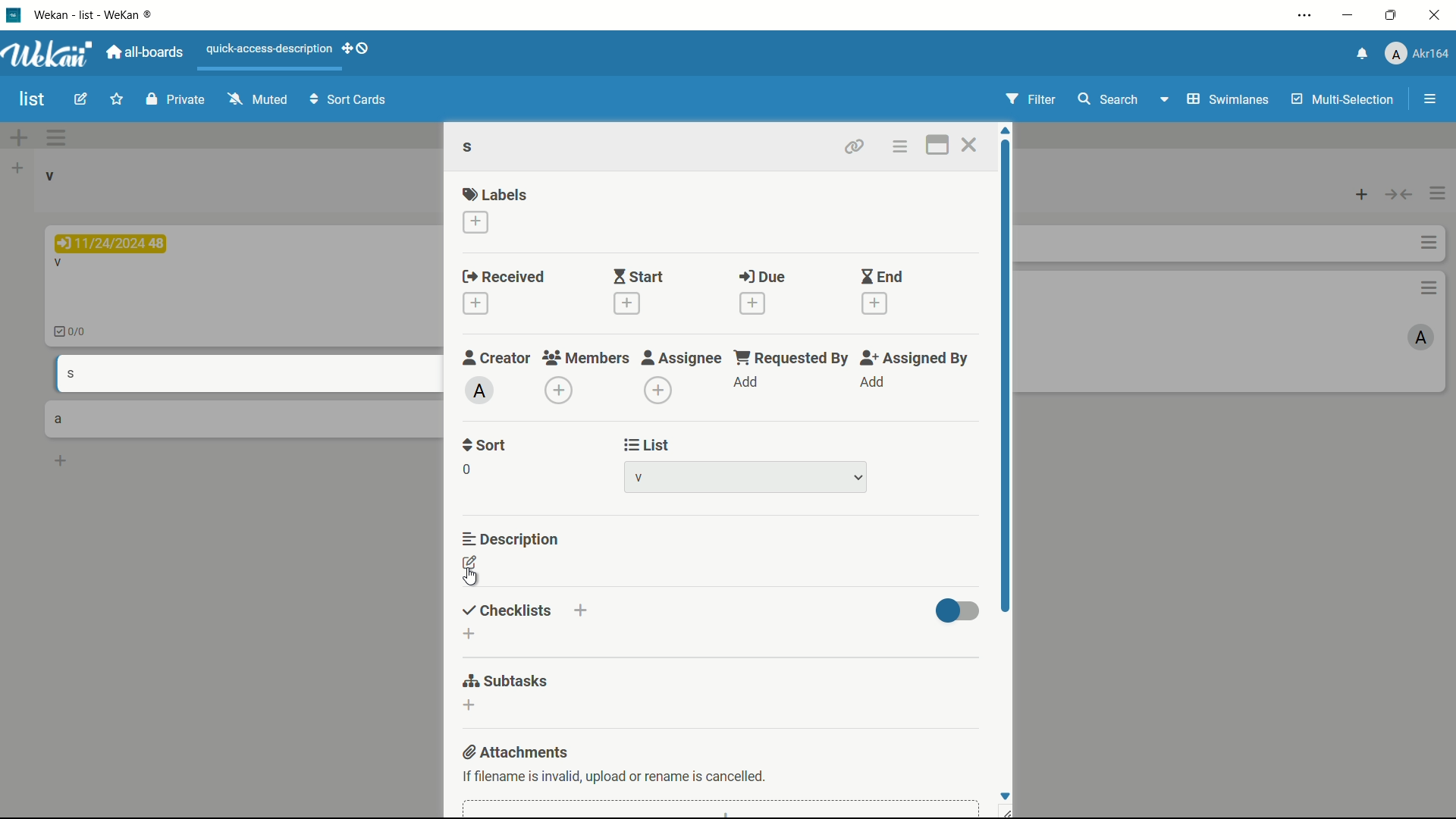  Describe the element at coordinates (1343, 100) in the screenshot. I see `multi-selection` at that location.